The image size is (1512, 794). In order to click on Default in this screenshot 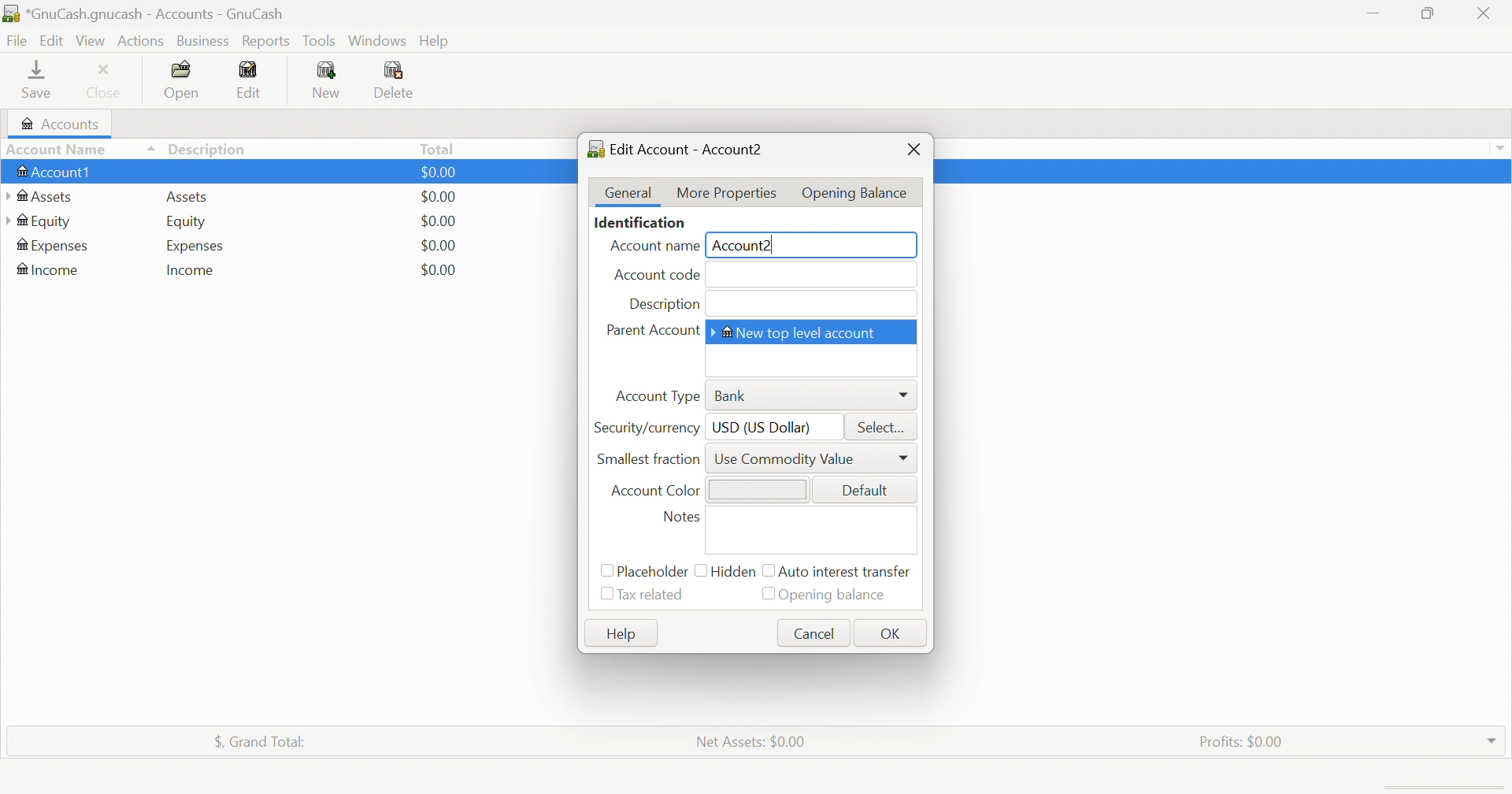, I will do `click(863, 492)`.